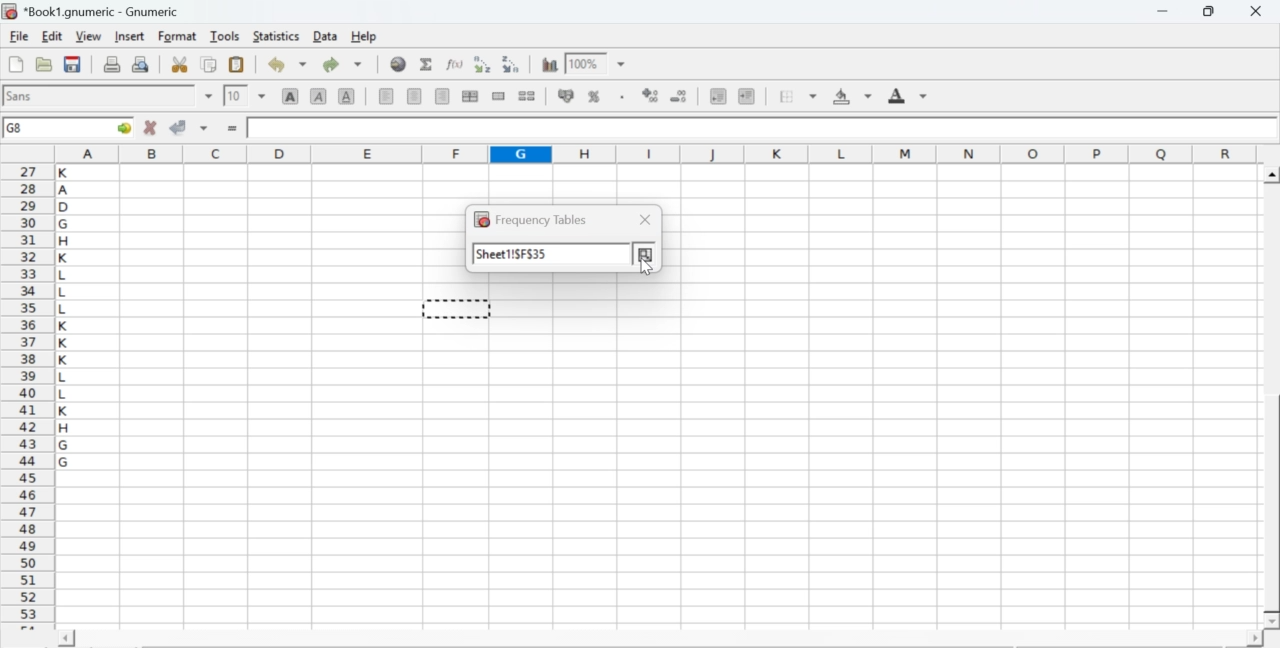 Image resolution: width=1280 pixels, height=648 pixels. Describe the element at coordinates (678, 97) in the screenshot. I see `decrease number of decimals displayed` at that location.